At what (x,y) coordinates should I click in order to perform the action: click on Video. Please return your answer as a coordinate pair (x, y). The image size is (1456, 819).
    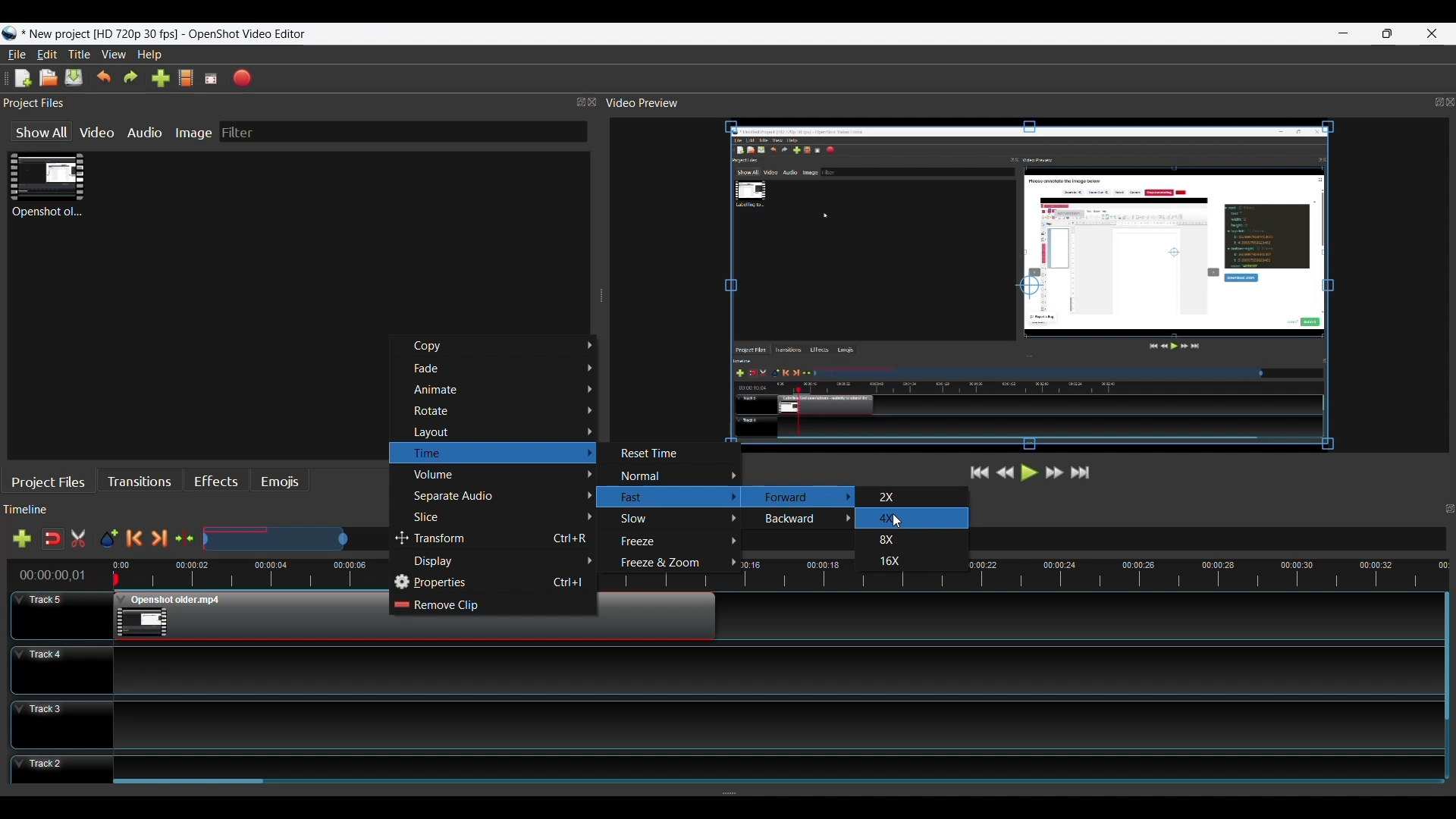
    Looking at the image, I should click on (98, 133).